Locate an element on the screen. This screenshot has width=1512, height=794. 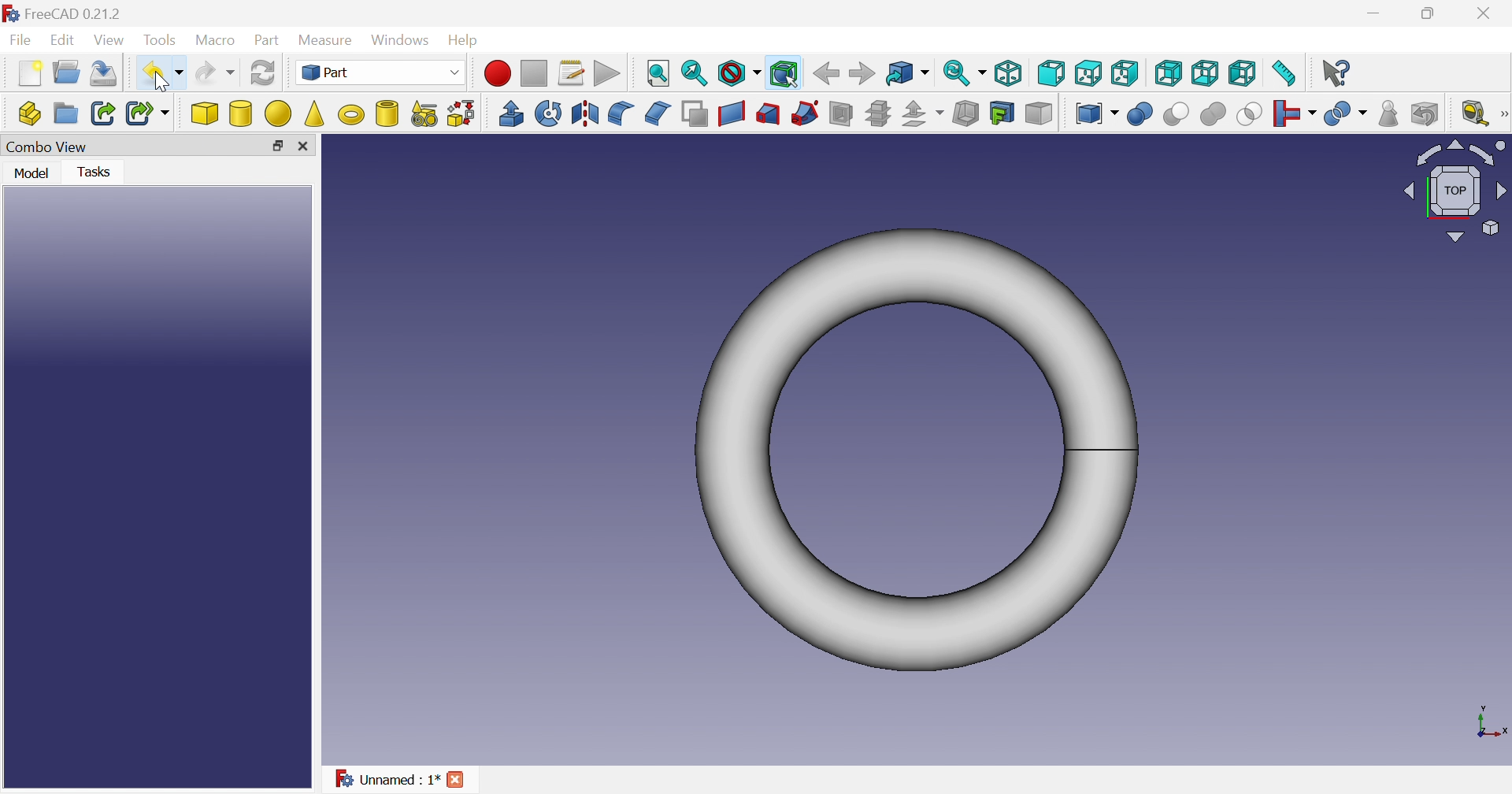
Restore down is located at coordinates (279, 147).